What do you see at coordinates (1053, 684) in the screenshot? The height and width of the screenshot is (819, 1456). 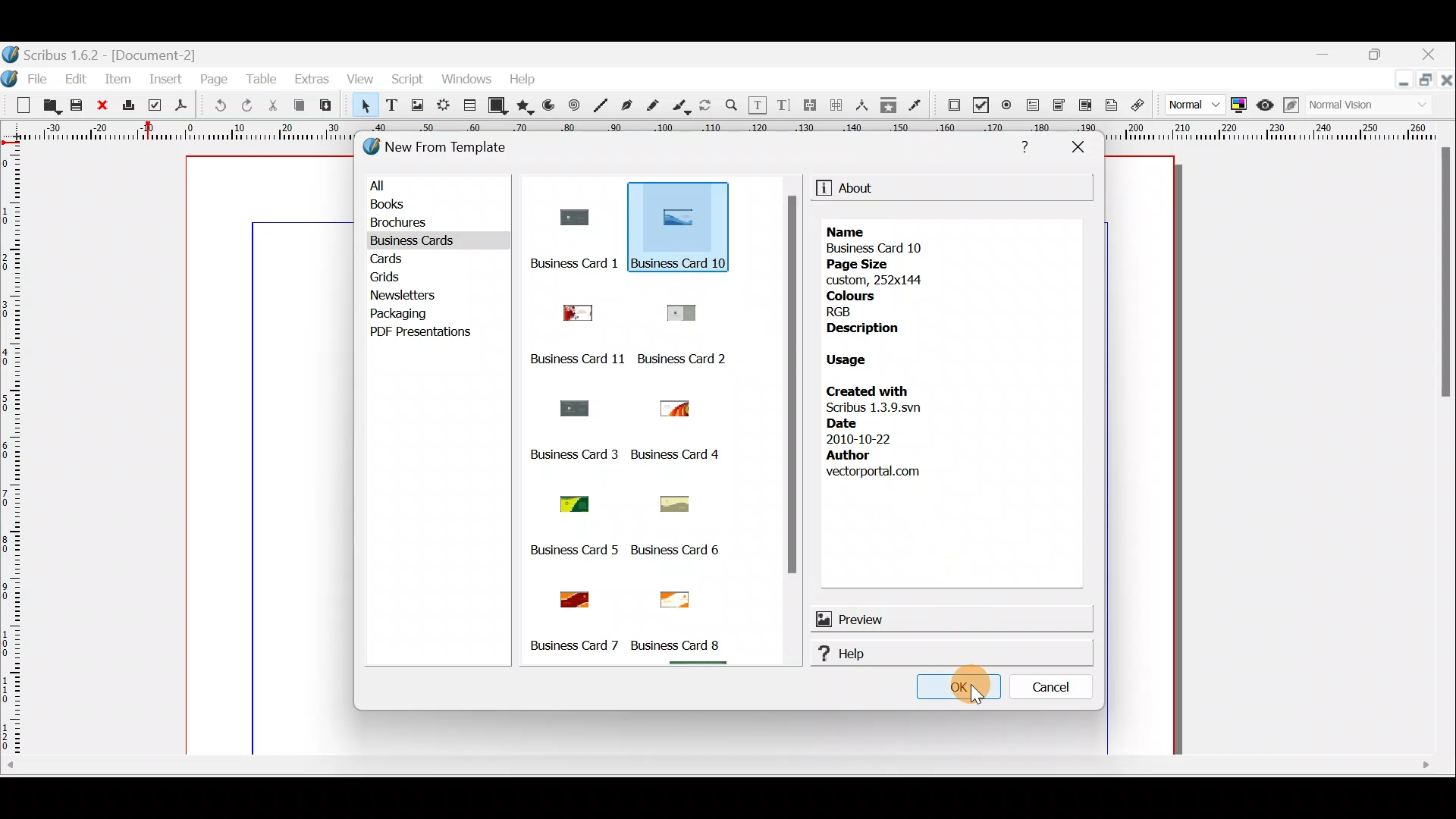 I see `Cancel` at bounding box center [1053, 684].